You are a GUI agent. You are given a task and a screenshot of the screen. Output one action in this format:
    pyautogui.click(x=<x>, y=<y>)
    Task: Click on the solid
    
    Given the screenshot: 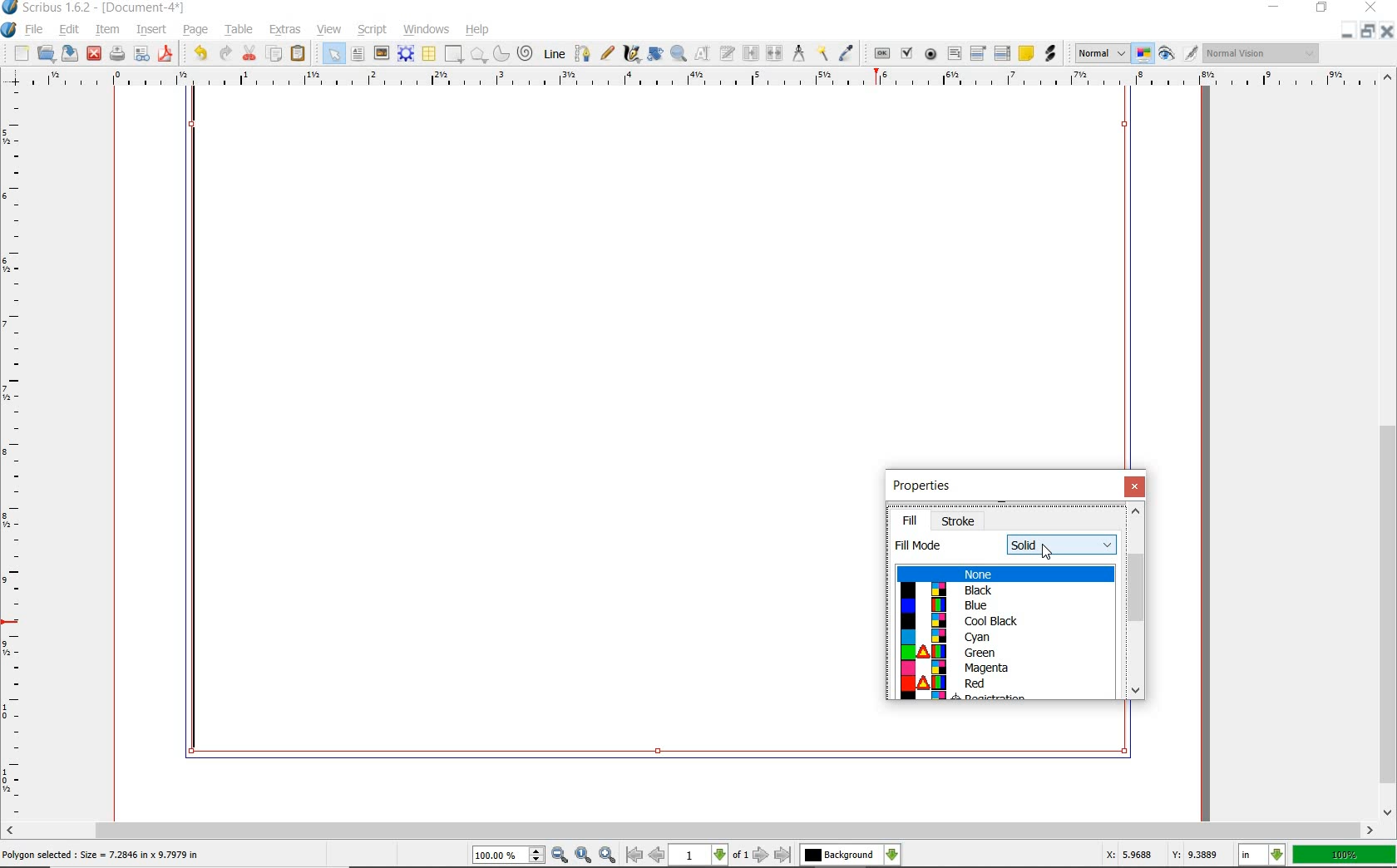 What is the action you would take?
    pyautogui.click(x=1063, y=544)
    